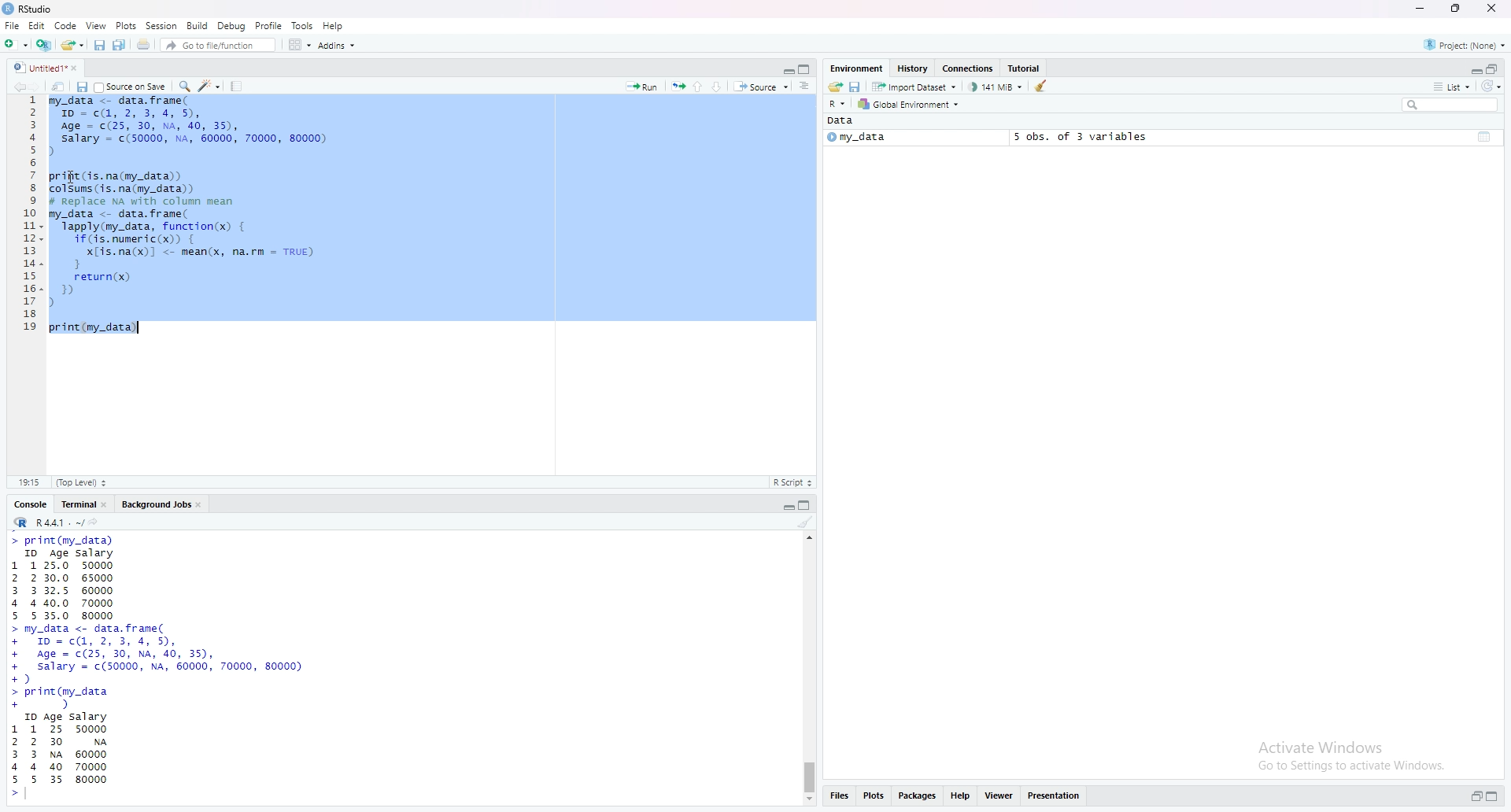 Image resolution: width=1511 pixels, height=812 pixels. What do you see at coordinates (913, 68) in the screenshot?
I see `history` at bounding box center [913, 68].